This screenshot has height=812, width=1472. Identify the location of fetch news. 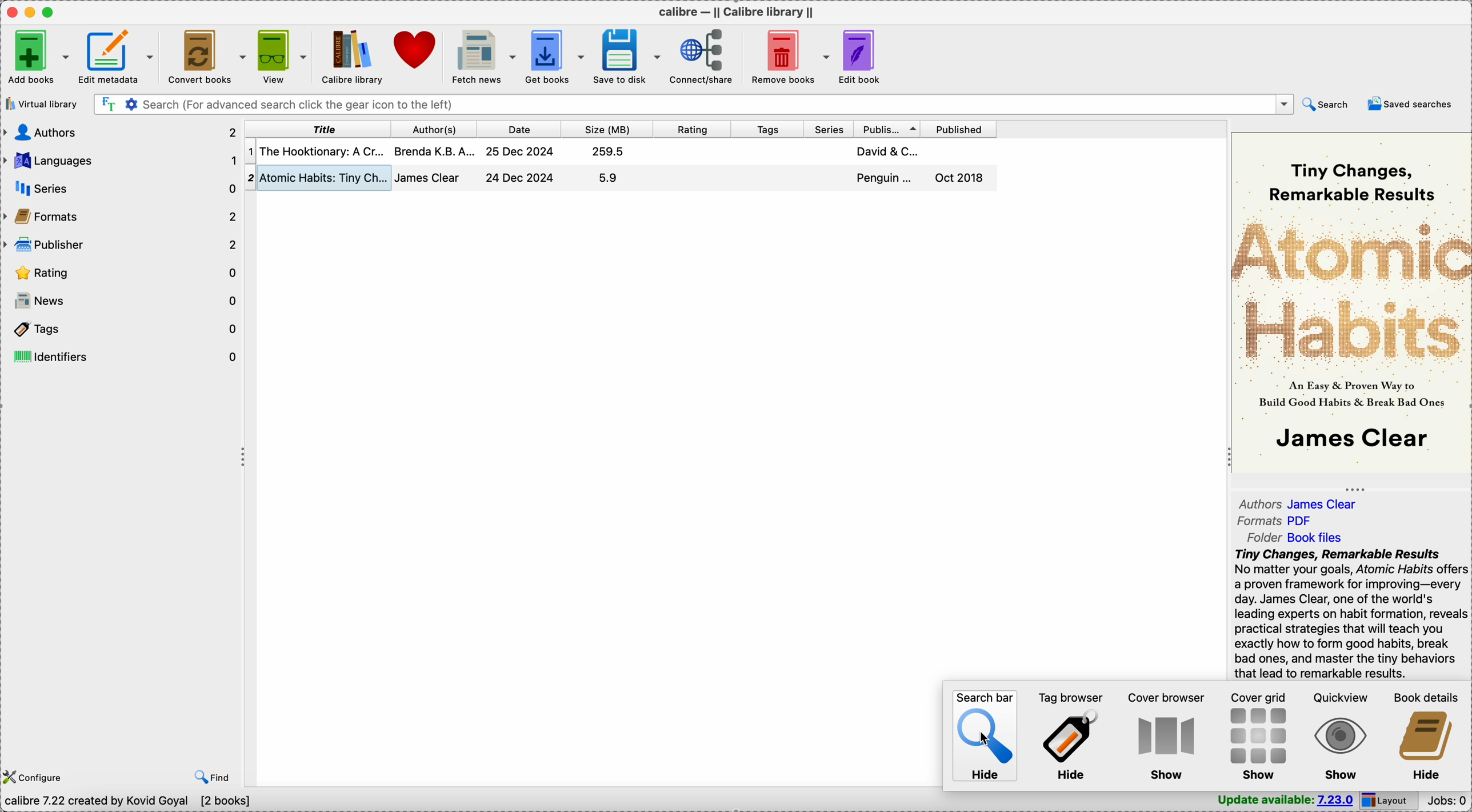
(482, 55).